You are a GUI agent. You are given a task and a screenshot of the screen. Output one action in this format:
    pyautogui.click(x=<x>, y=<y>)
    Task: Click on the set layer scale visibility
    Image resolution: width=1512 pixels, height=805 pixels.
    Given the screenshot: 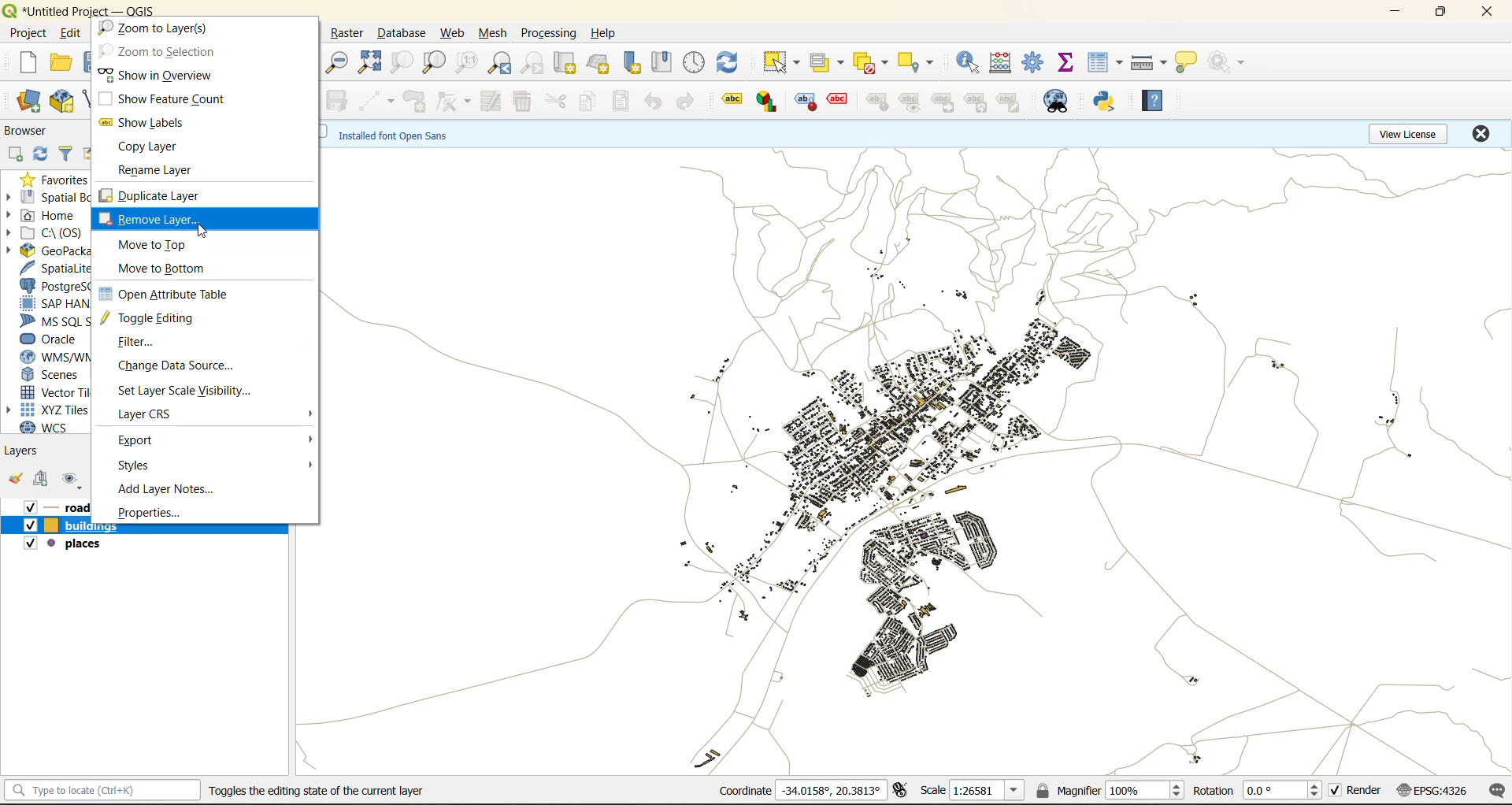 What is the action you would take?
    pyautogui.click(x=187, y=391)
    